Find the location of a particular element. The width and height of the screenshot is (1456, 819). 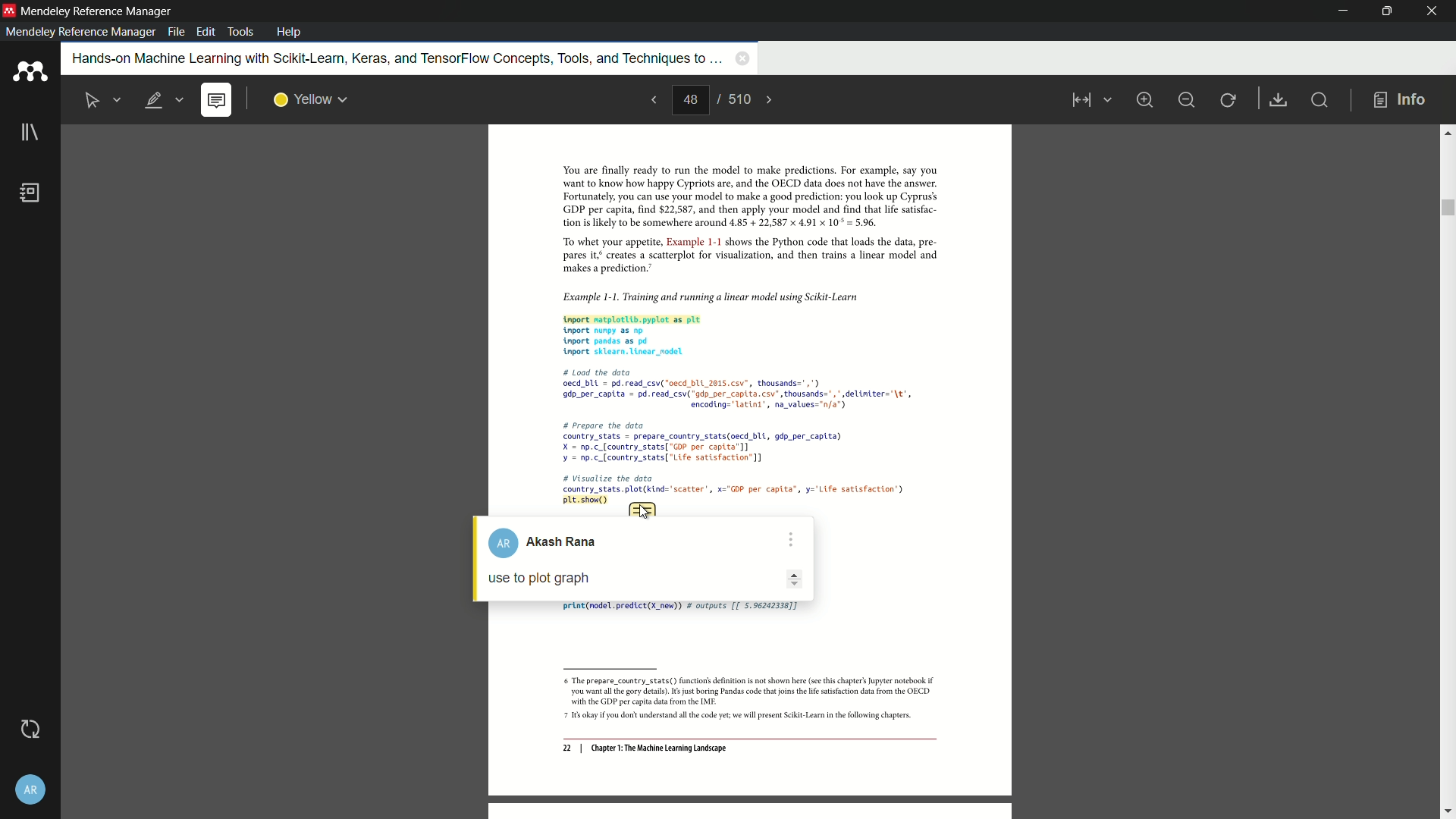

previous page is located at coordinates (652, 99).